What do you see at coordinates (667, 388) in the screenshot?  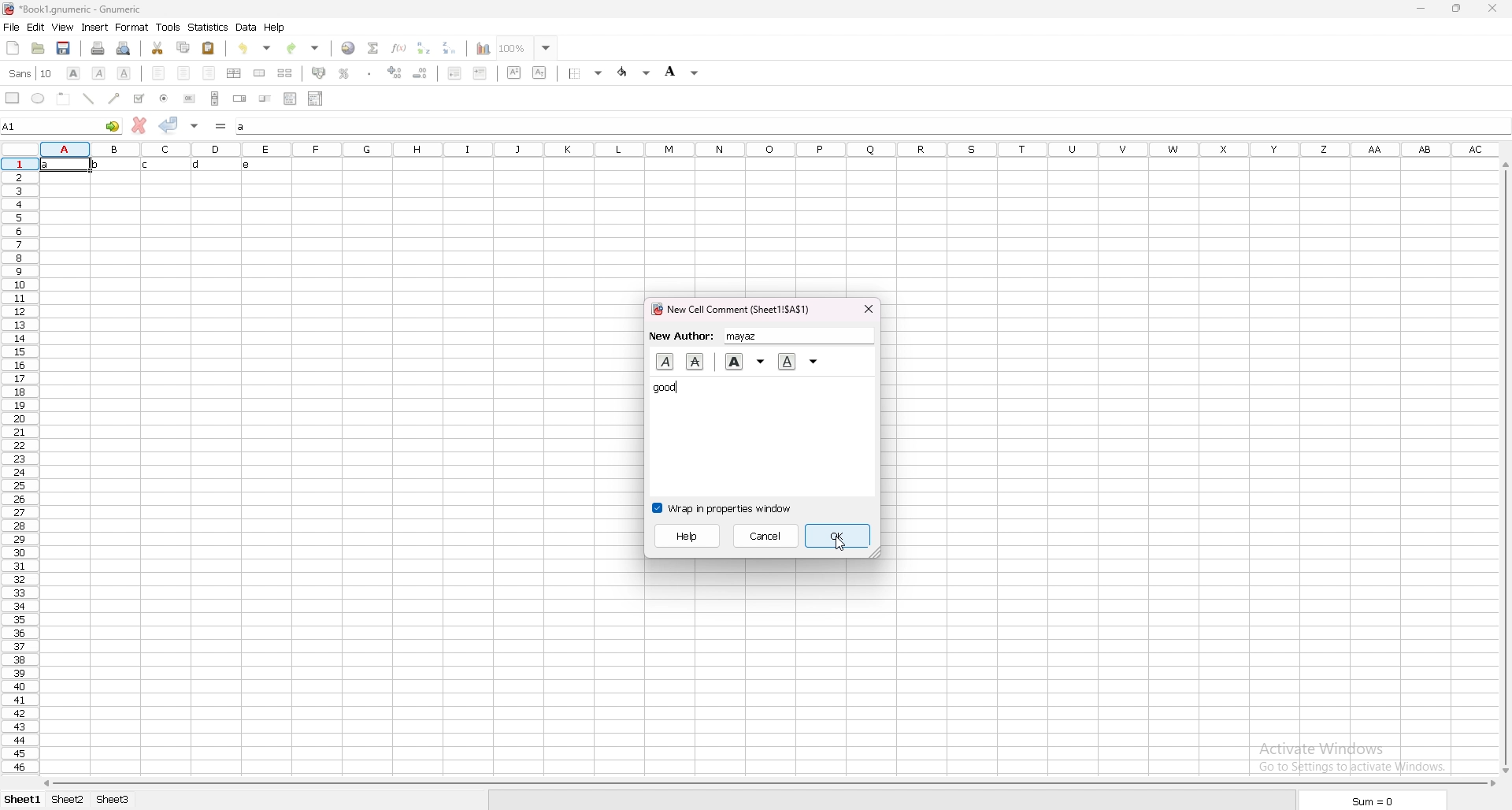 I see `comment` at bounding box center [667, 388].